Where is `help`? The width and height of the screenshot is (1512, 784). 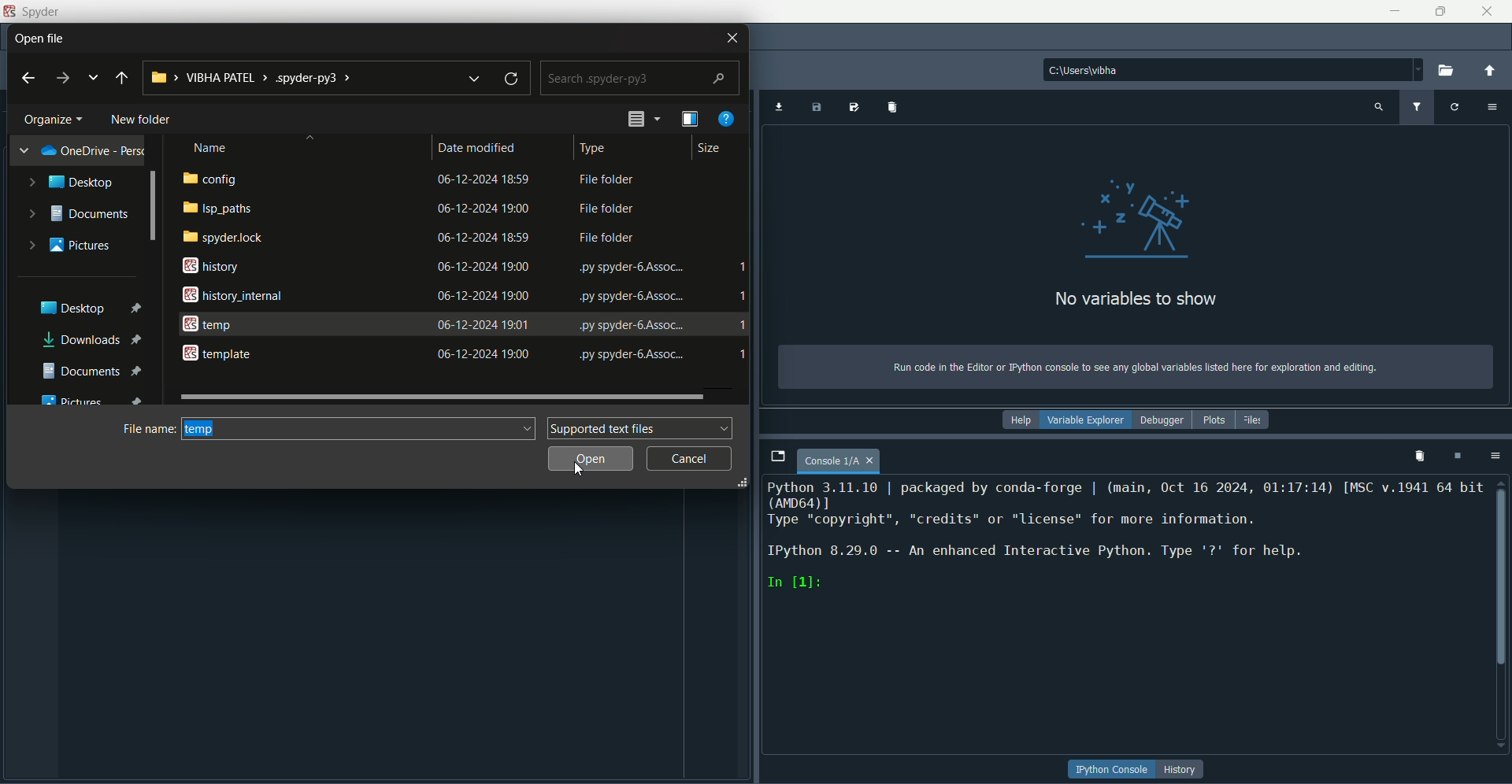 help is located at coordinates (1024, 421).